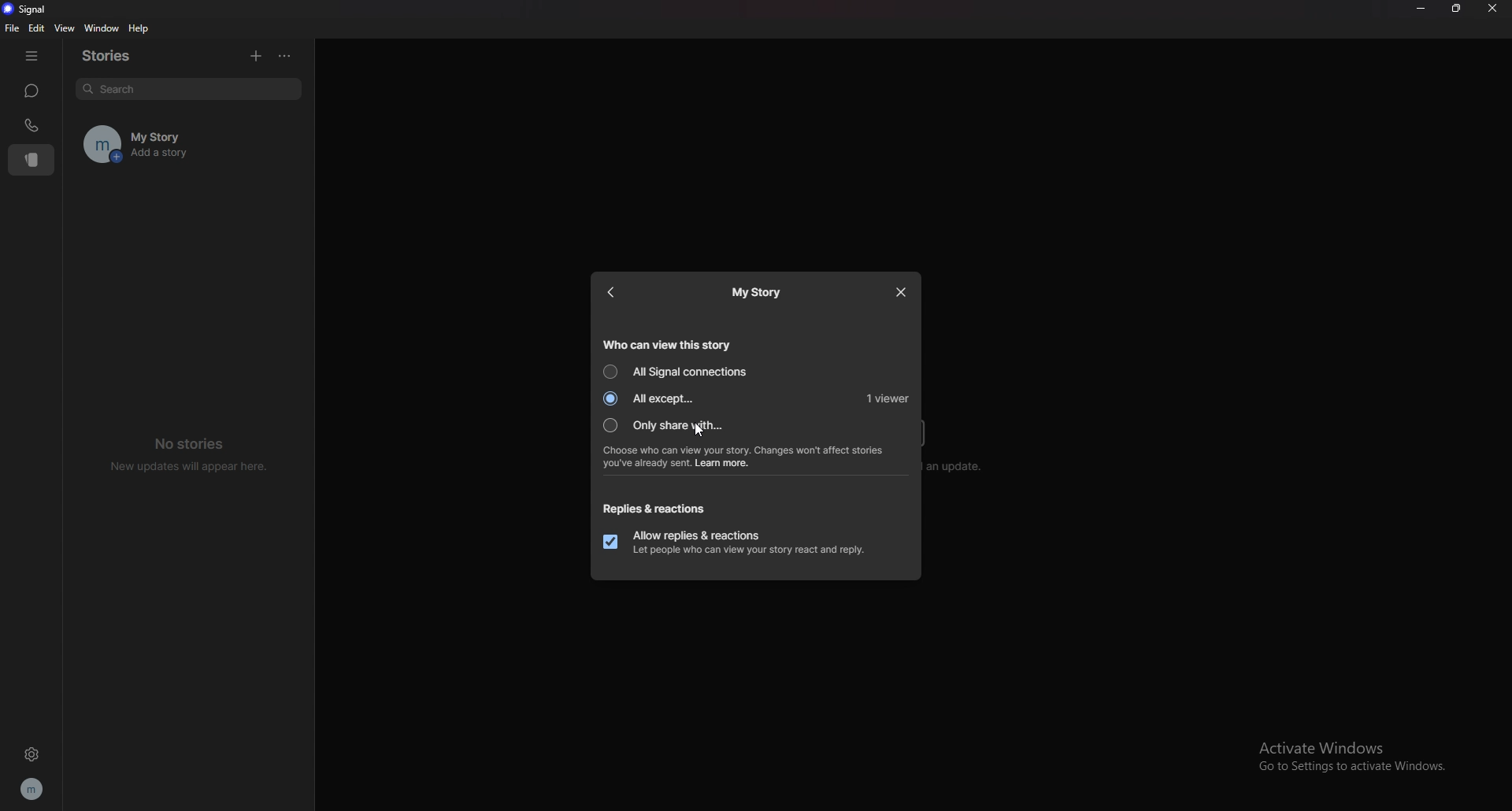 The image size is (1512, 811). I want to click on search, so click(193, 87).